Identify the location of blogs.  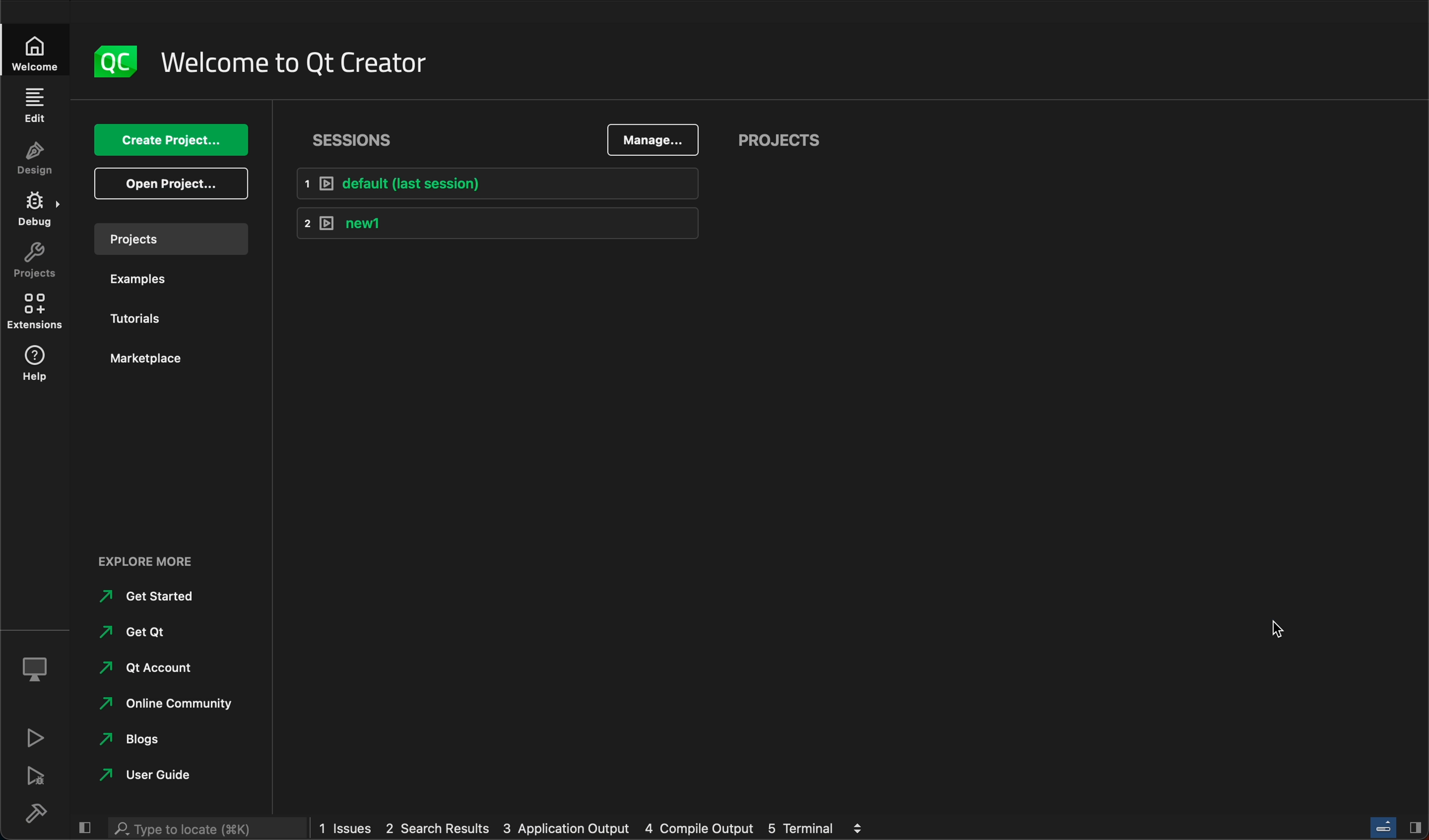
(134, 739).